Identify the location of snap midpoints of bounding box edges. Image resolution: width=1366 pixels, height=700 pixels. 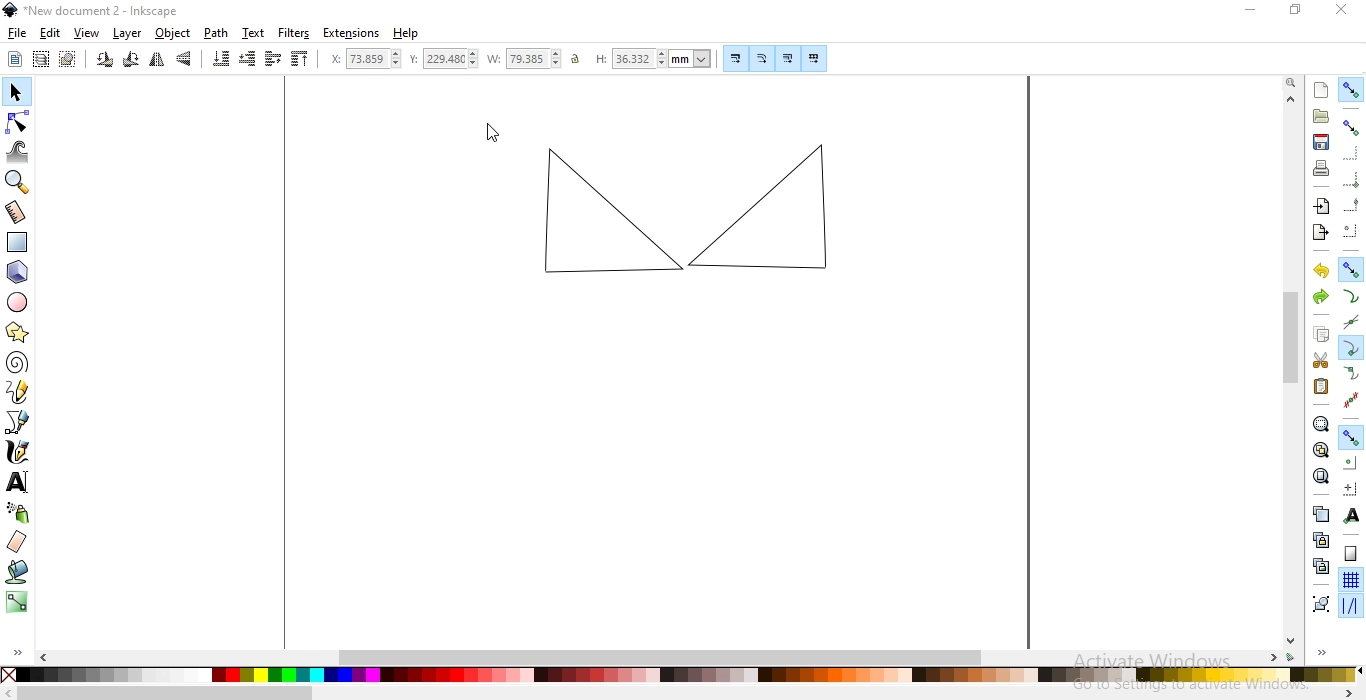
(1352, 203).